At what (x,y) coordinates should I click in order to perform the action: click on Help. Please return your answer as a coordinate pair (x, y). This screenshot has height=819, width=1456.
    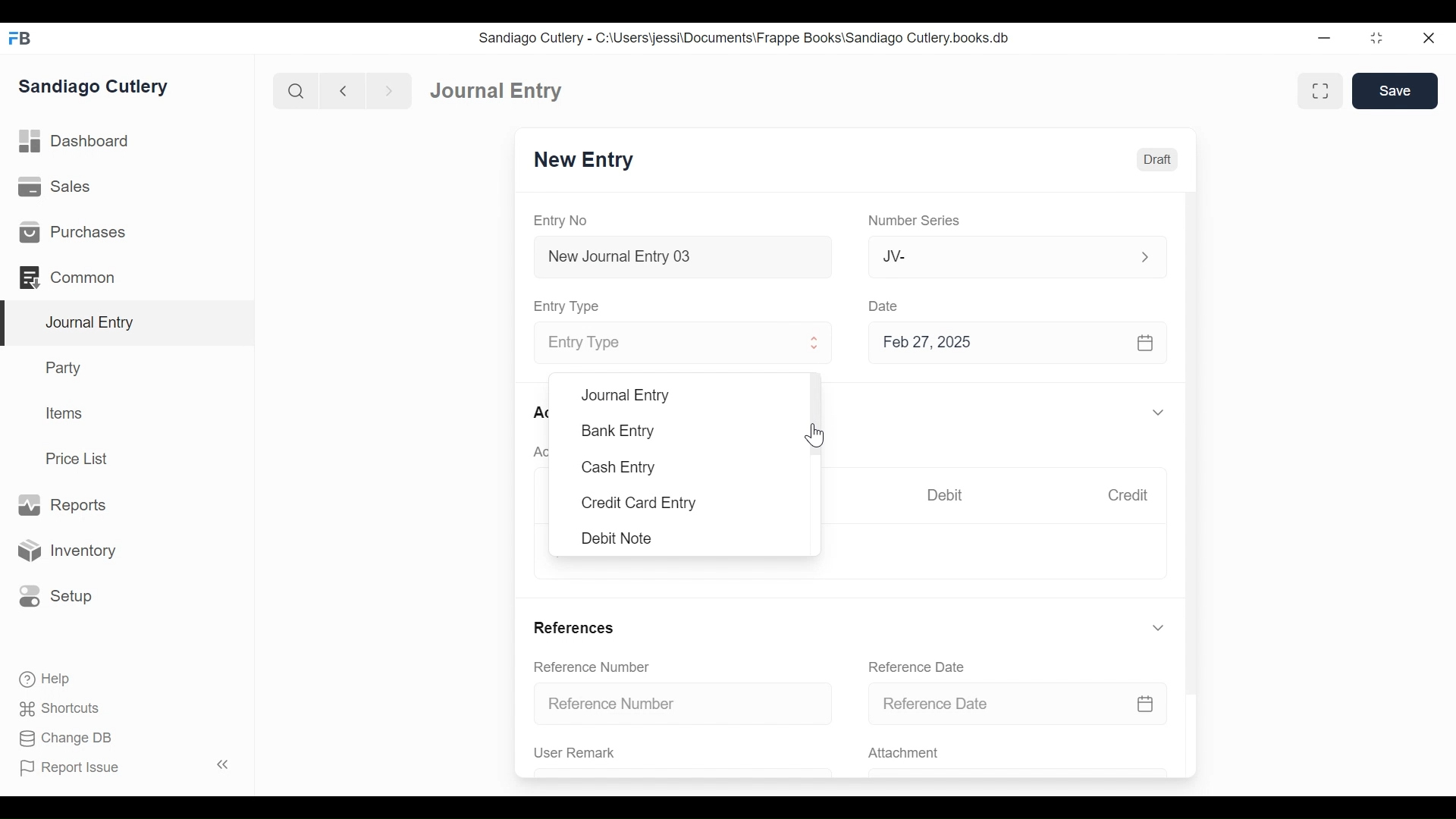
    Looking at the image, I should click on (46, 679).